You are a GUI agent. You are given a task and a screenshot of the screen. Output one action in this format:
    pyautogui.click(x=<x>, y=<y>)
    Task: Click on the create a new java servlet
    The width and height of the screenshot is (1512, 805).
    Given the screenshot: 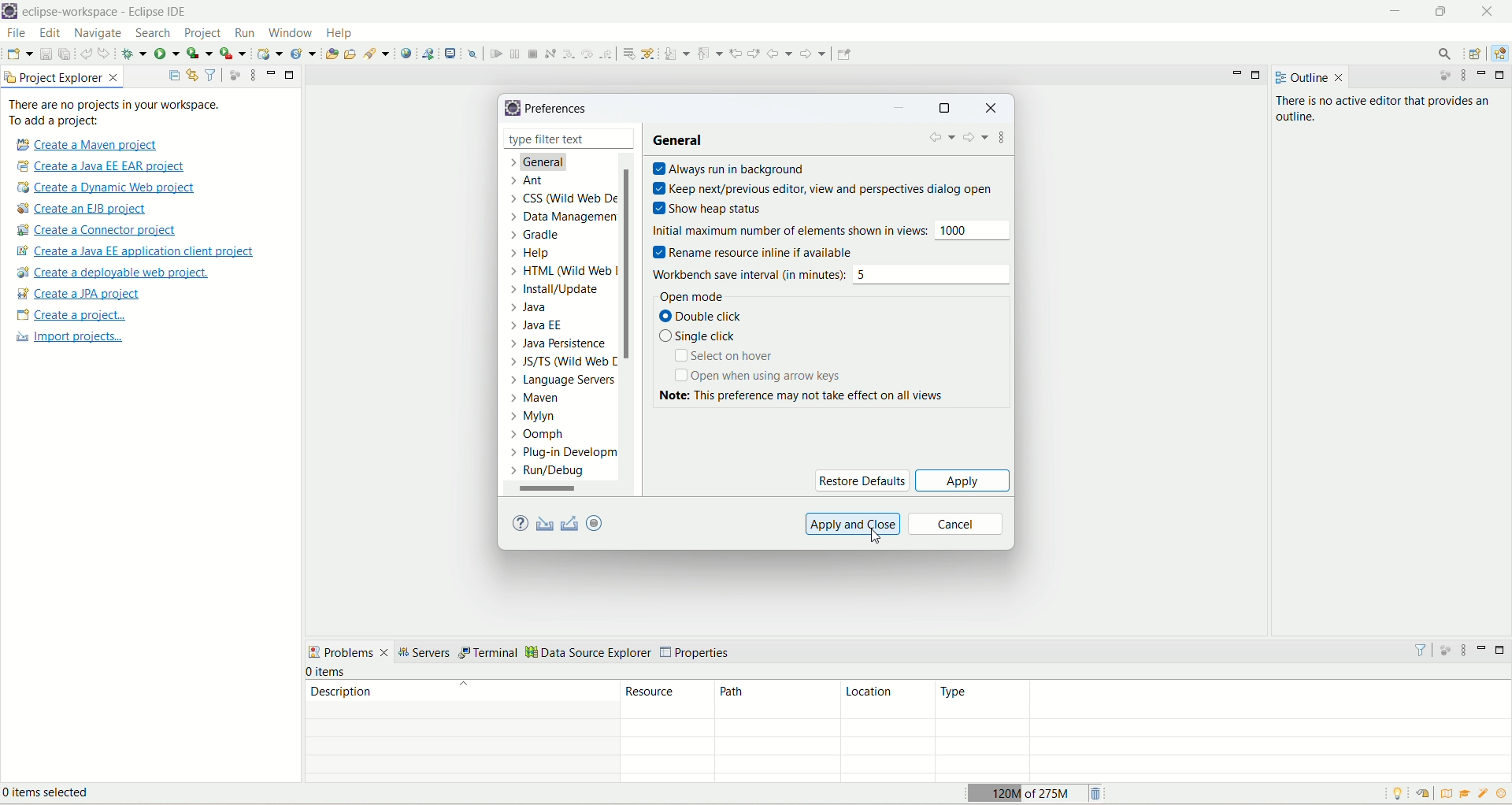 What is the action you would take?
    pyautogui.click(x=304, y=54)
    